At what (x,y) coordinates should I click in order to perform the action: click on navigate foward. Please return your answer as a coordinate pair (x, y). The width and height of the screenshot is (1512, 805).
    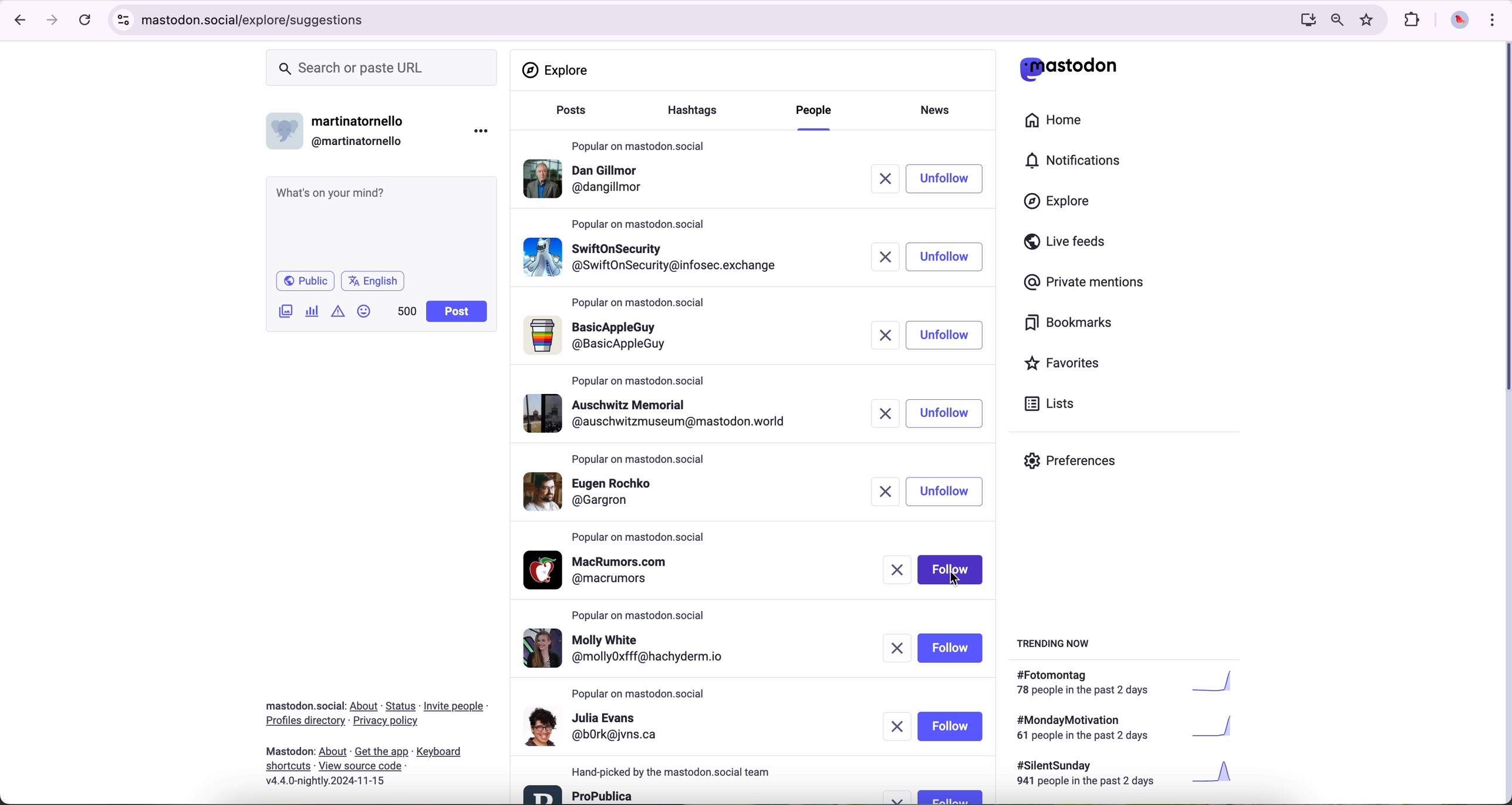
    Looking at the image, I should click on (53, 21).